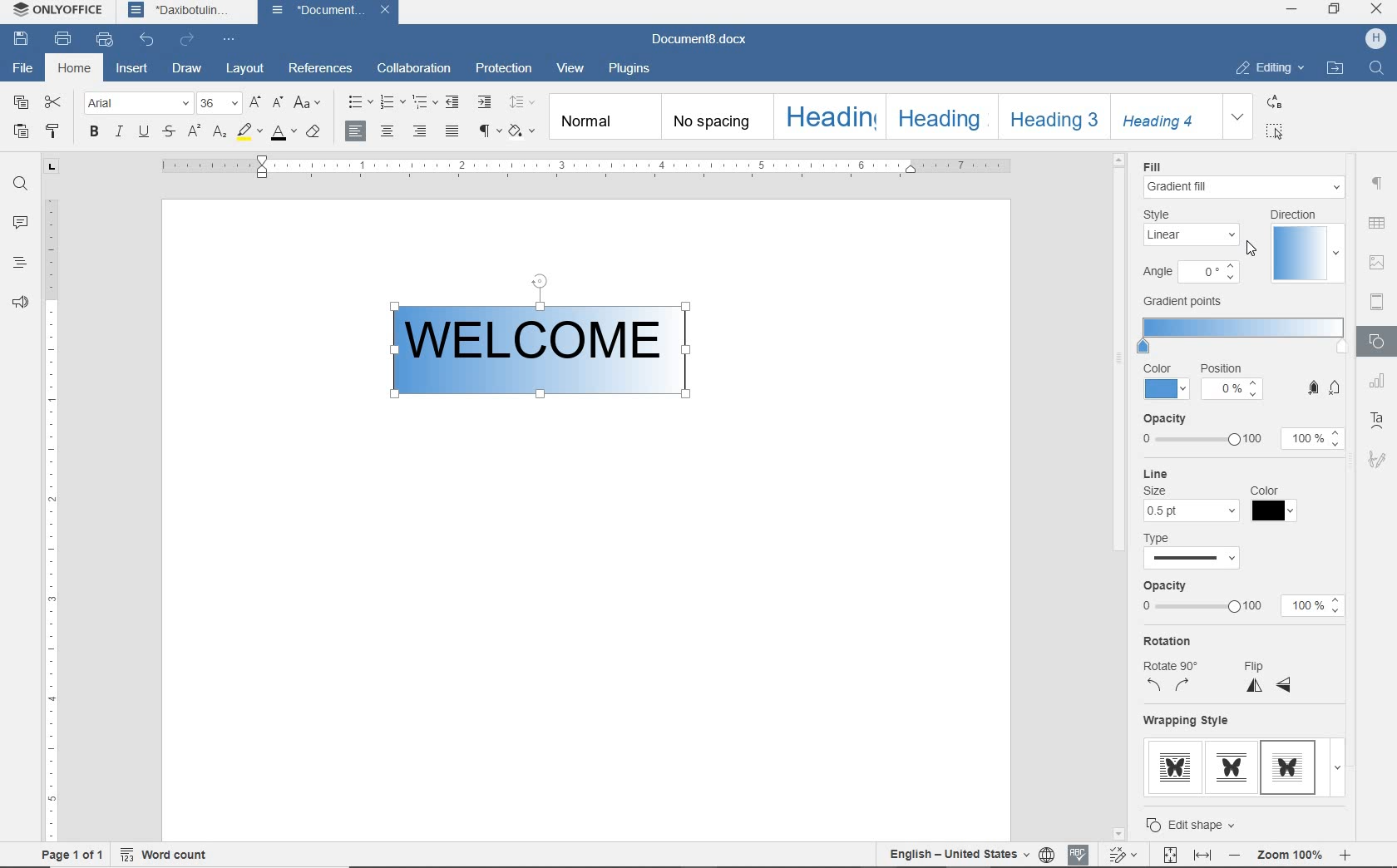 This screenshot has width=1397, height=868. What do you see at coordinates (1323, 387) in the screenshot?
I see `` at bounding box center [1323, 387].